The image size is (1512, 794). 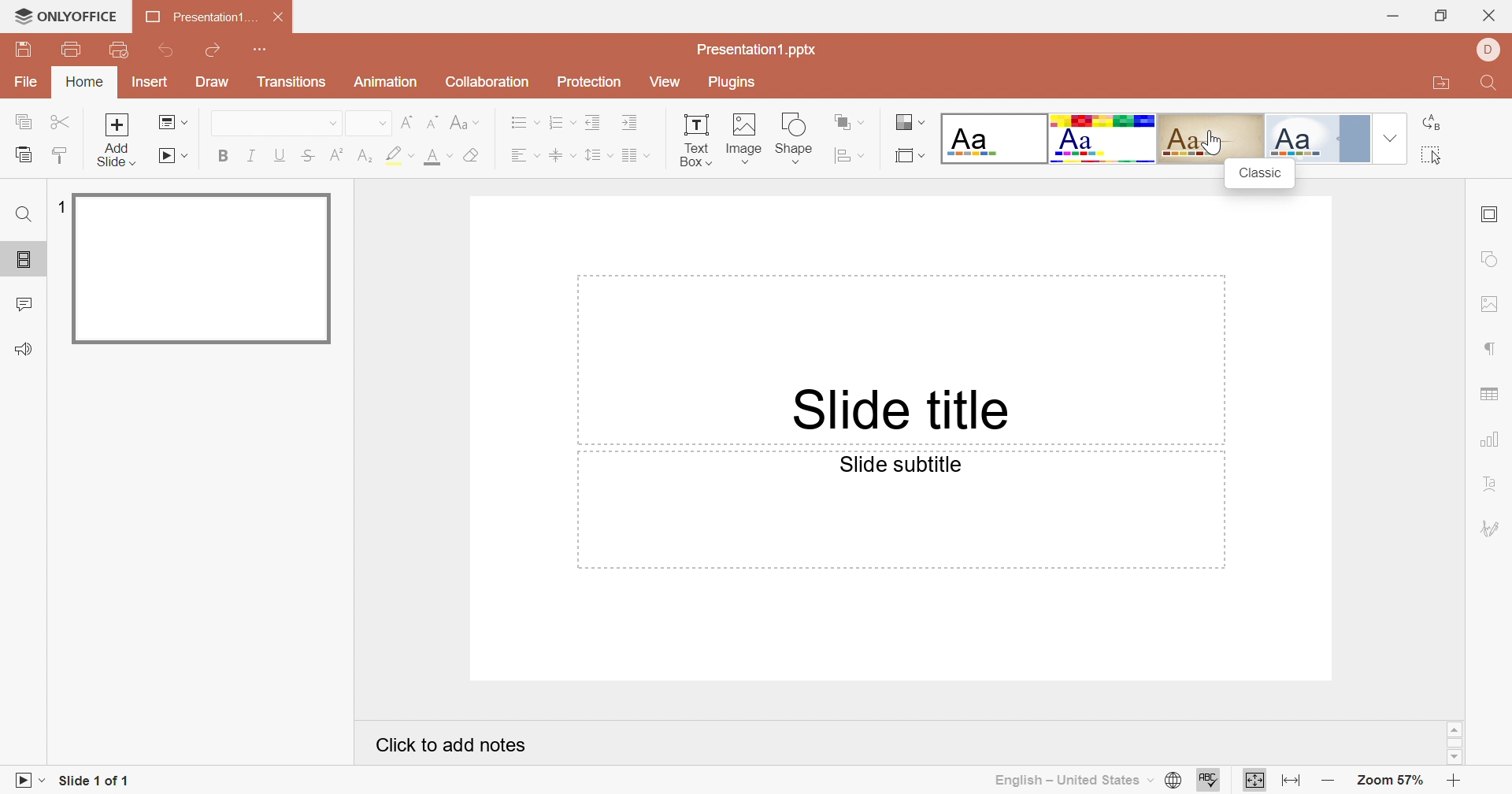 What do you see at coordinates (697, 139) in the screenshot?
I see `Text Box` at bounding box center [697, 139].